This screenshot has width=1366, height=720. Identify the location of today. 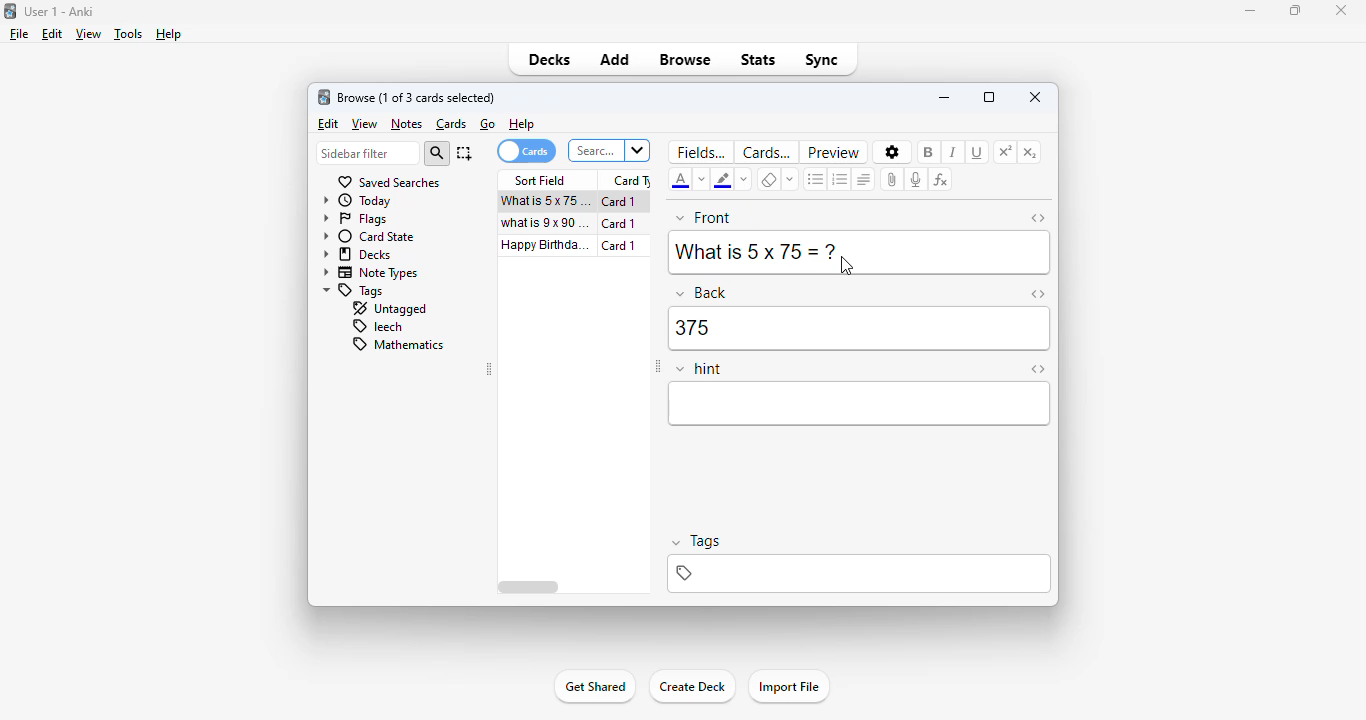
(356, 201).